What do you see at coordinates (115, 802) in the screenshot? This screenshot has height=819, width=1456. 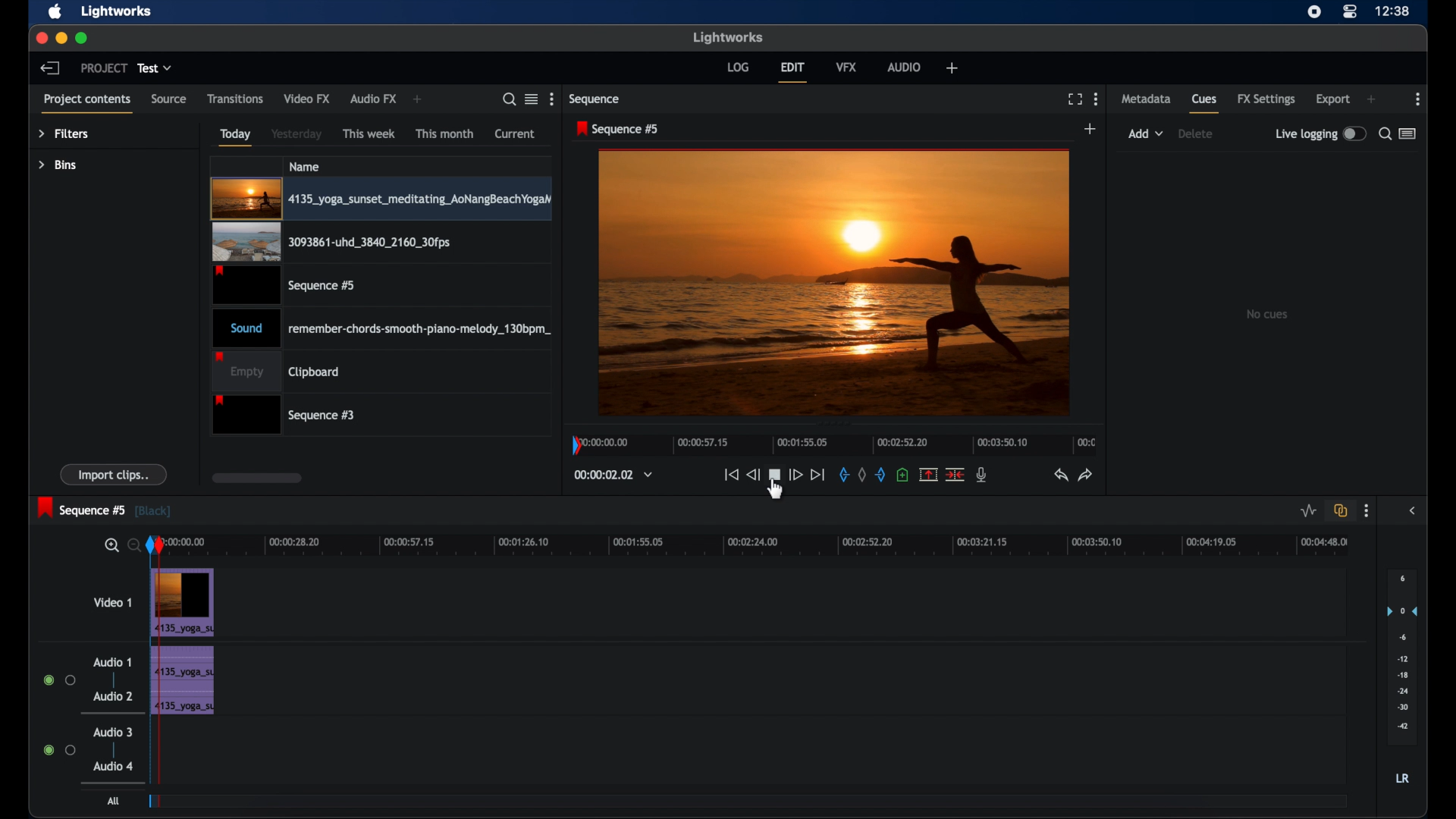 I see `all` at bounding box center [115, 802].